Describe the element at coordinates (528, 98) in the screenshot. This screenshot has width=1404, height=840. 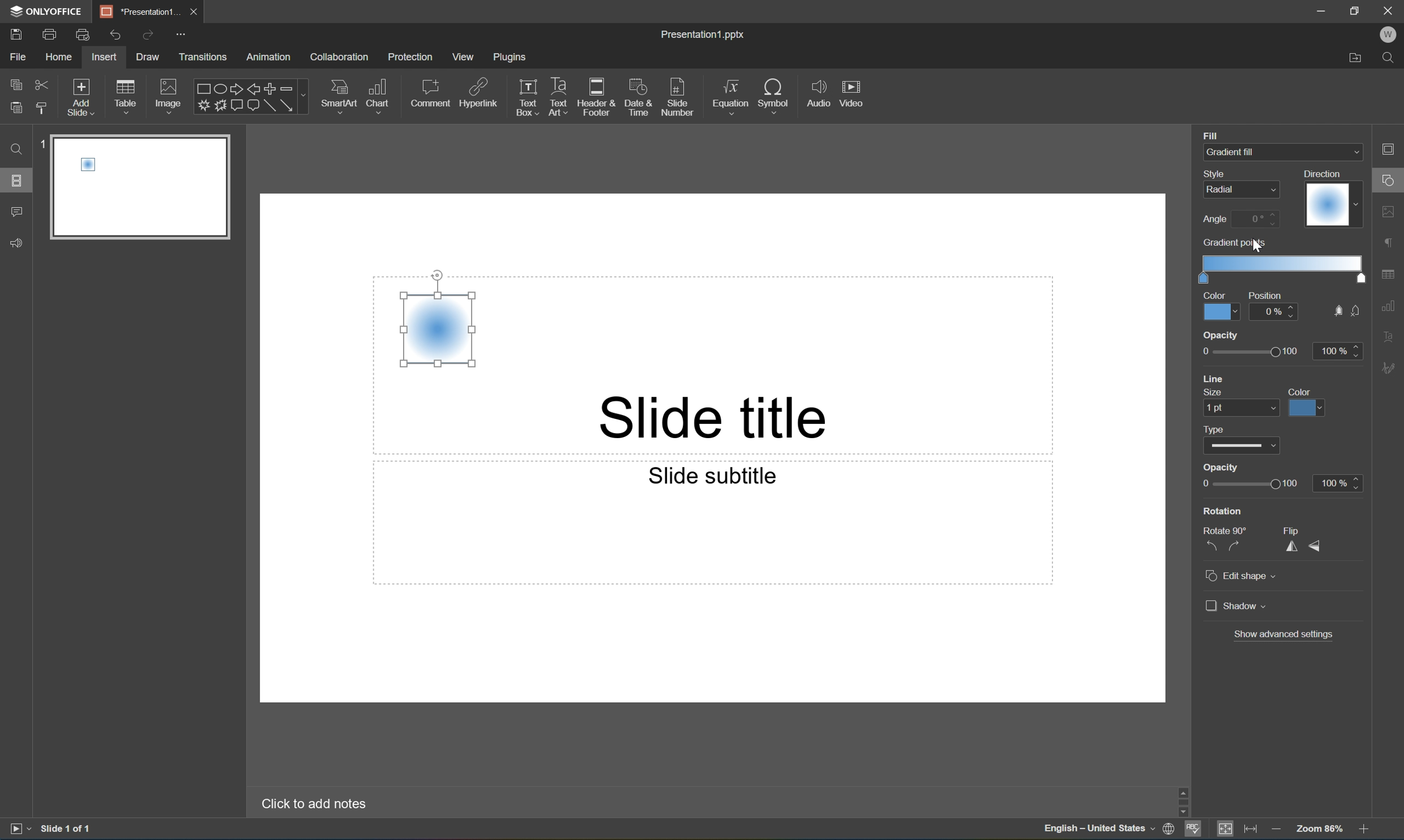
I see `Text Box` at that location.